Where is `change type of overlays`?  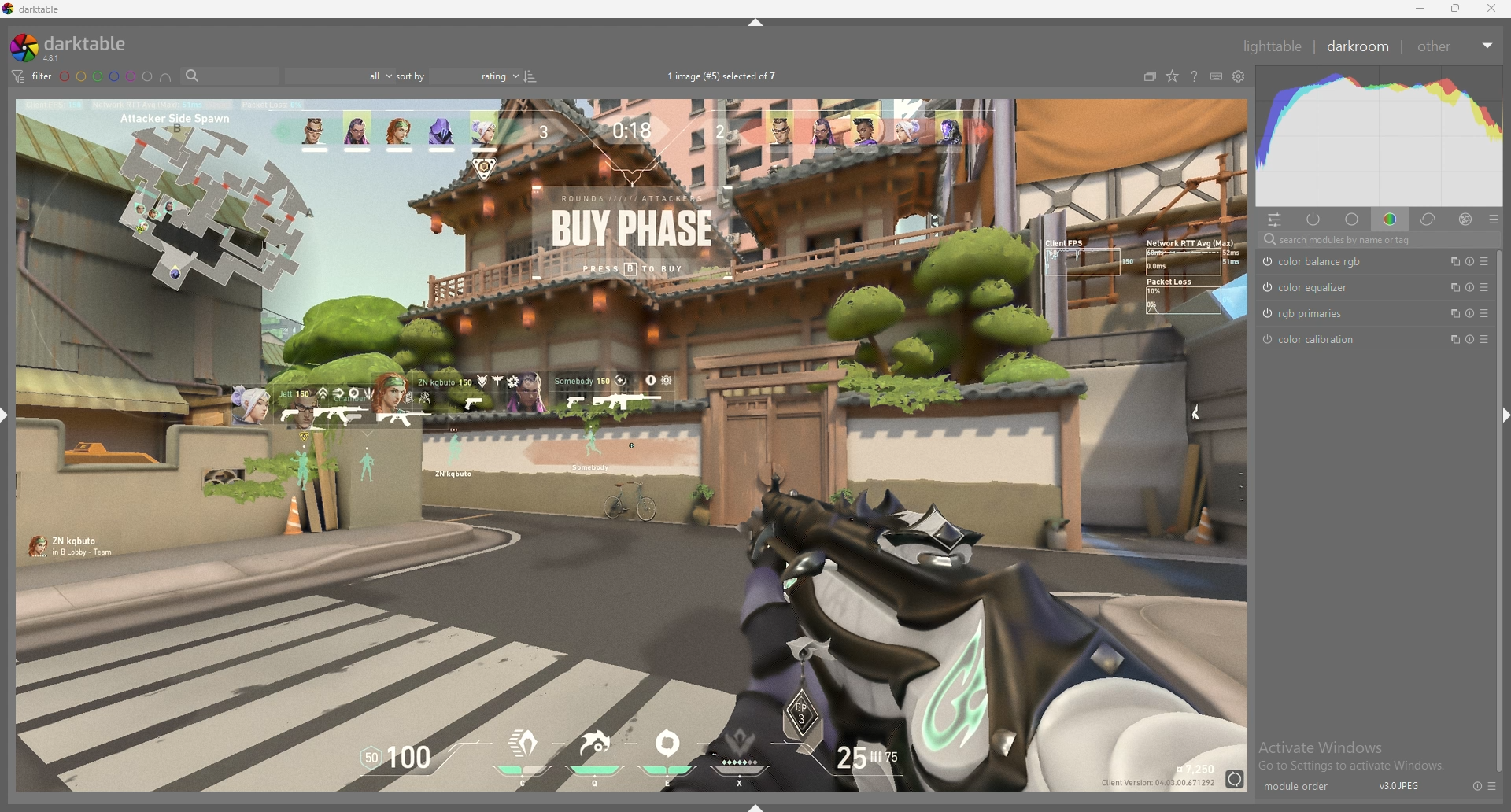
change type of overlays is located at coordinates (1172, 77).